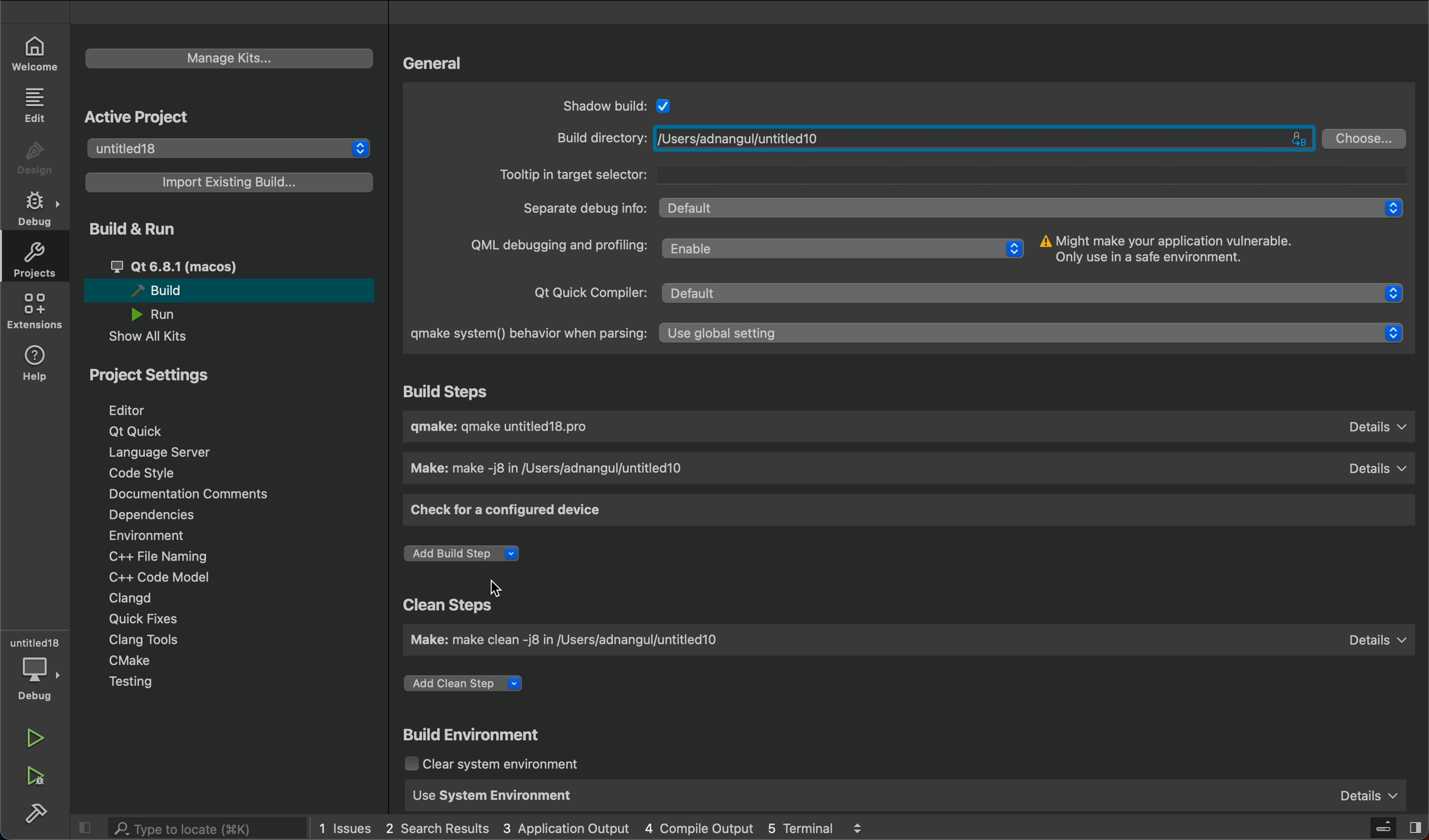  What do you see at coordinates (466, 685) in the screenshot?
I see `Add Clean Step` at bounding box center [466, 685].